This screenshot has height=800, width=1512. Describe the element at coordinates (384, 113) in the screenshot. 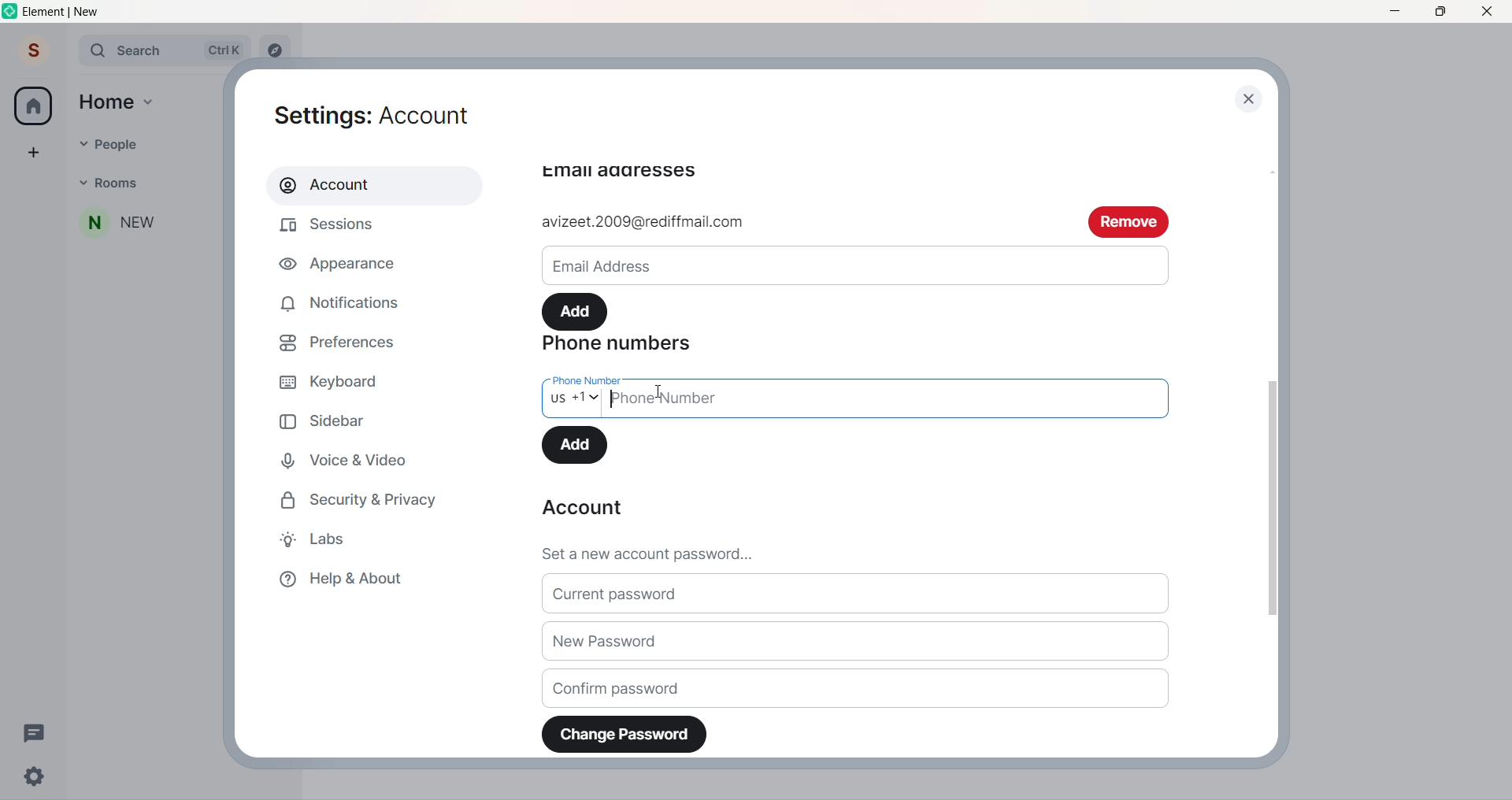

I see `Settings` at that location.